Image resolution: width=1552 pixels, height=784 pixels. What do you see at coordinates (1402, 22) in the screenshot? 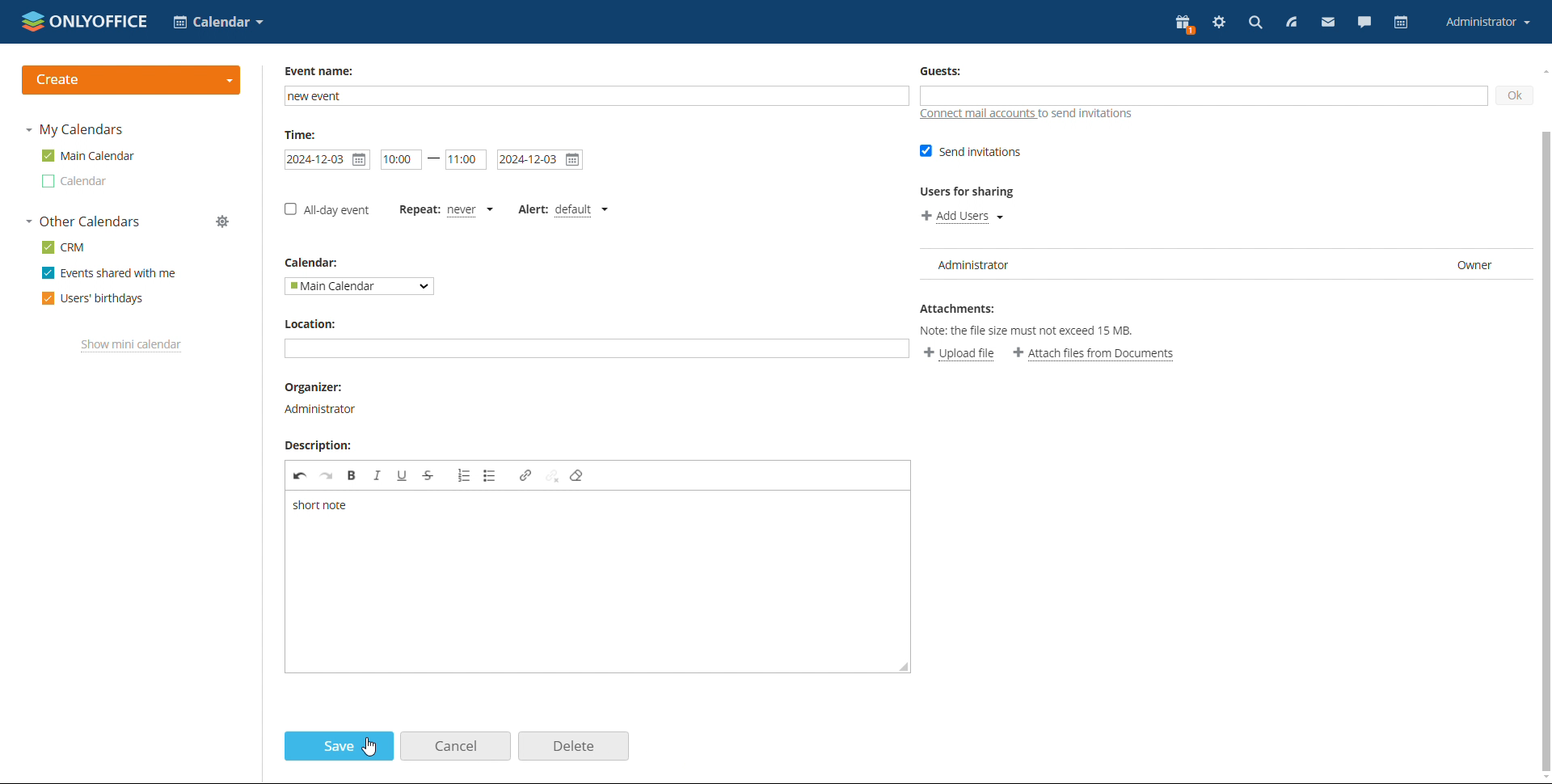
I see `calendar` at bounding box center [1402, 22].